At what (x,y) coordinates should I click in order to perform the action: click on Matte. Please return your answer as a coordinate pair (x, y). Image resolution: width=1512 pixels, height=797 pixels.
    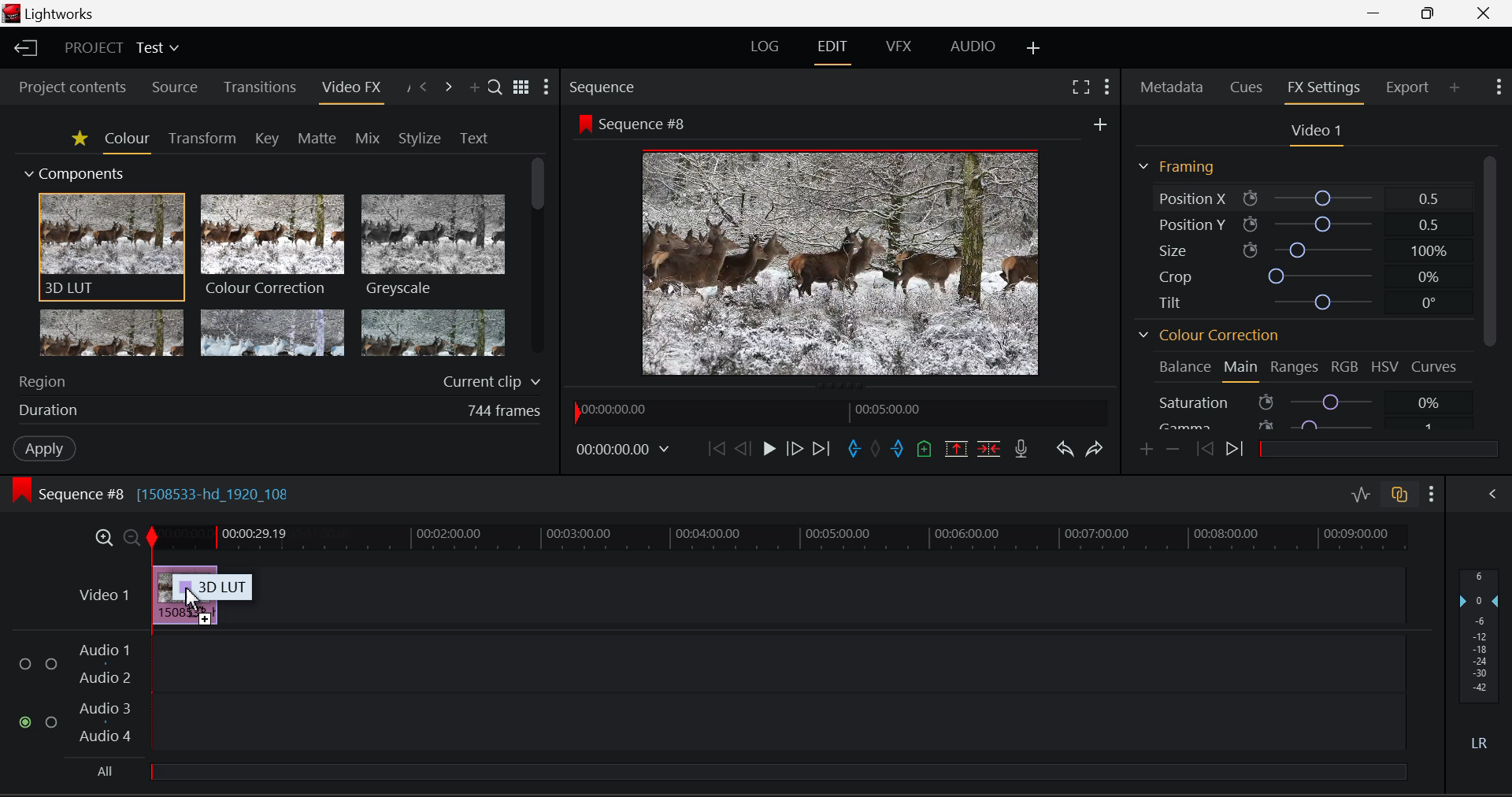
    Looking at the image, I should click on (313, 136).